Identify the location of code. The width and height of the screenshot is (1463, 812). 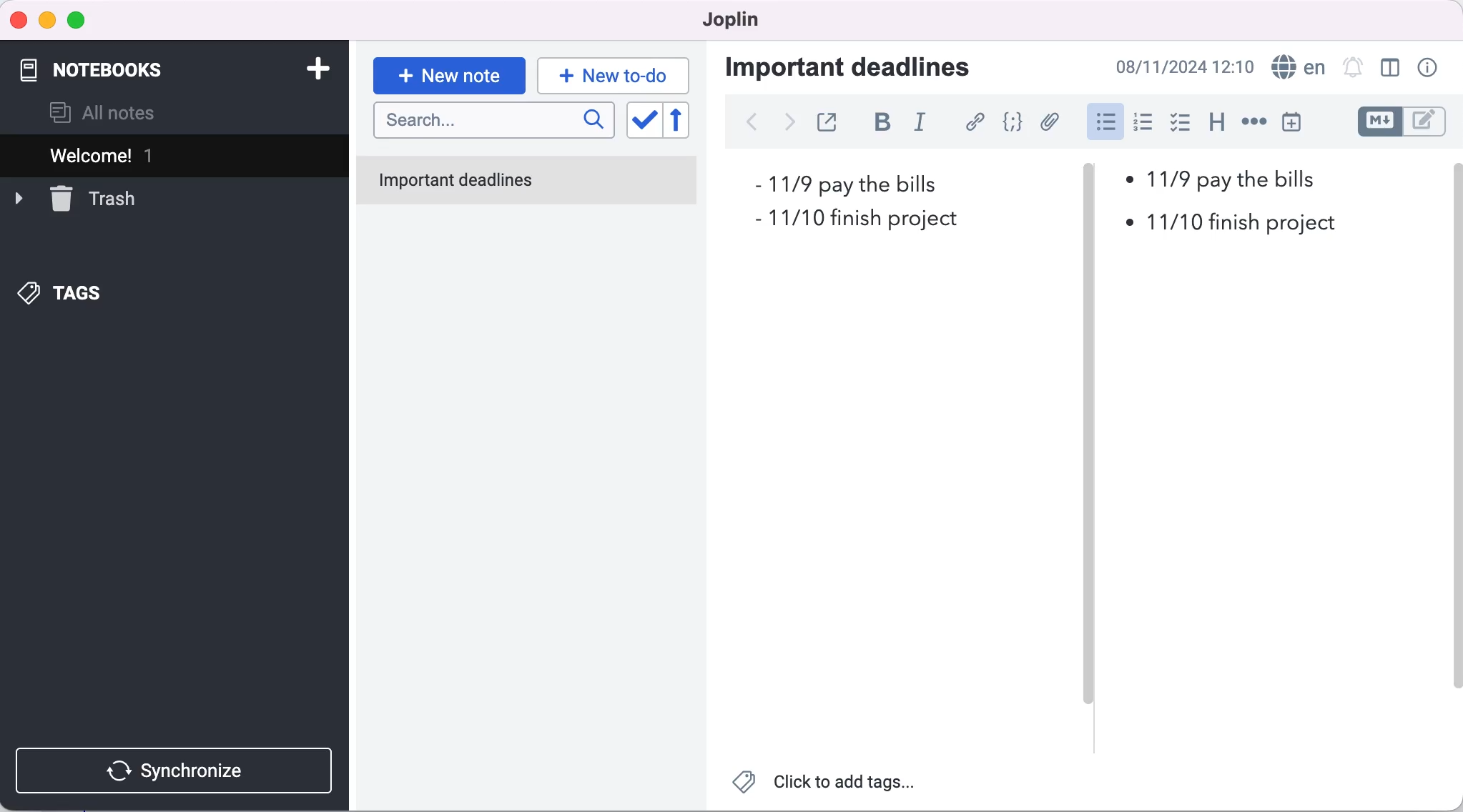
(1013, 123).